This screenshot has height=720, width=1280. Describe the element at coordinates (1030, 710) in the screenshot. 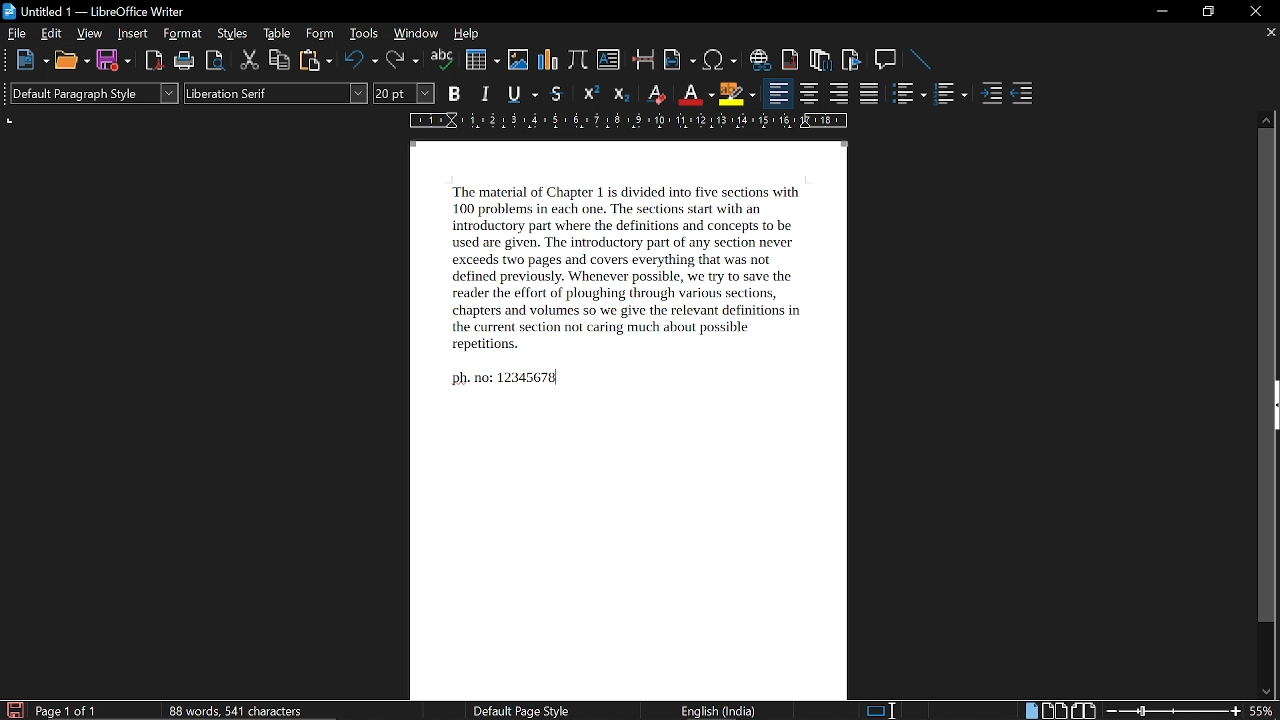

I see `single page view` at that location.